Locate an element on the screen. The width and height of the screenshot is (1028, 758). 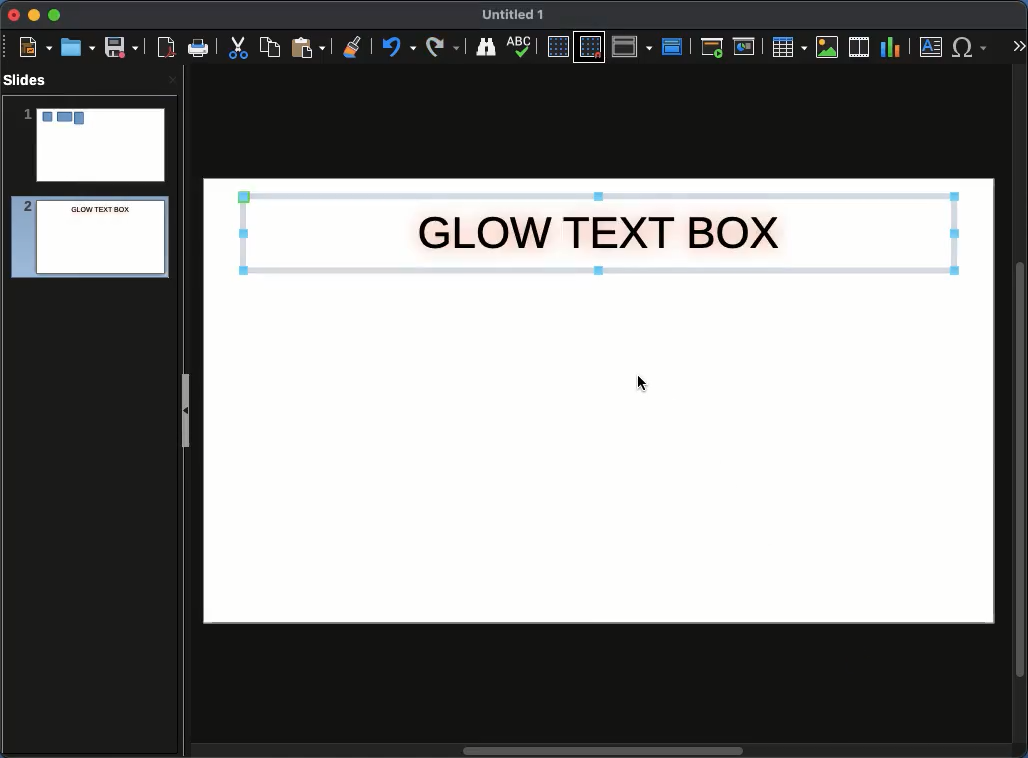
Cut is located at coordinates (238, 47).